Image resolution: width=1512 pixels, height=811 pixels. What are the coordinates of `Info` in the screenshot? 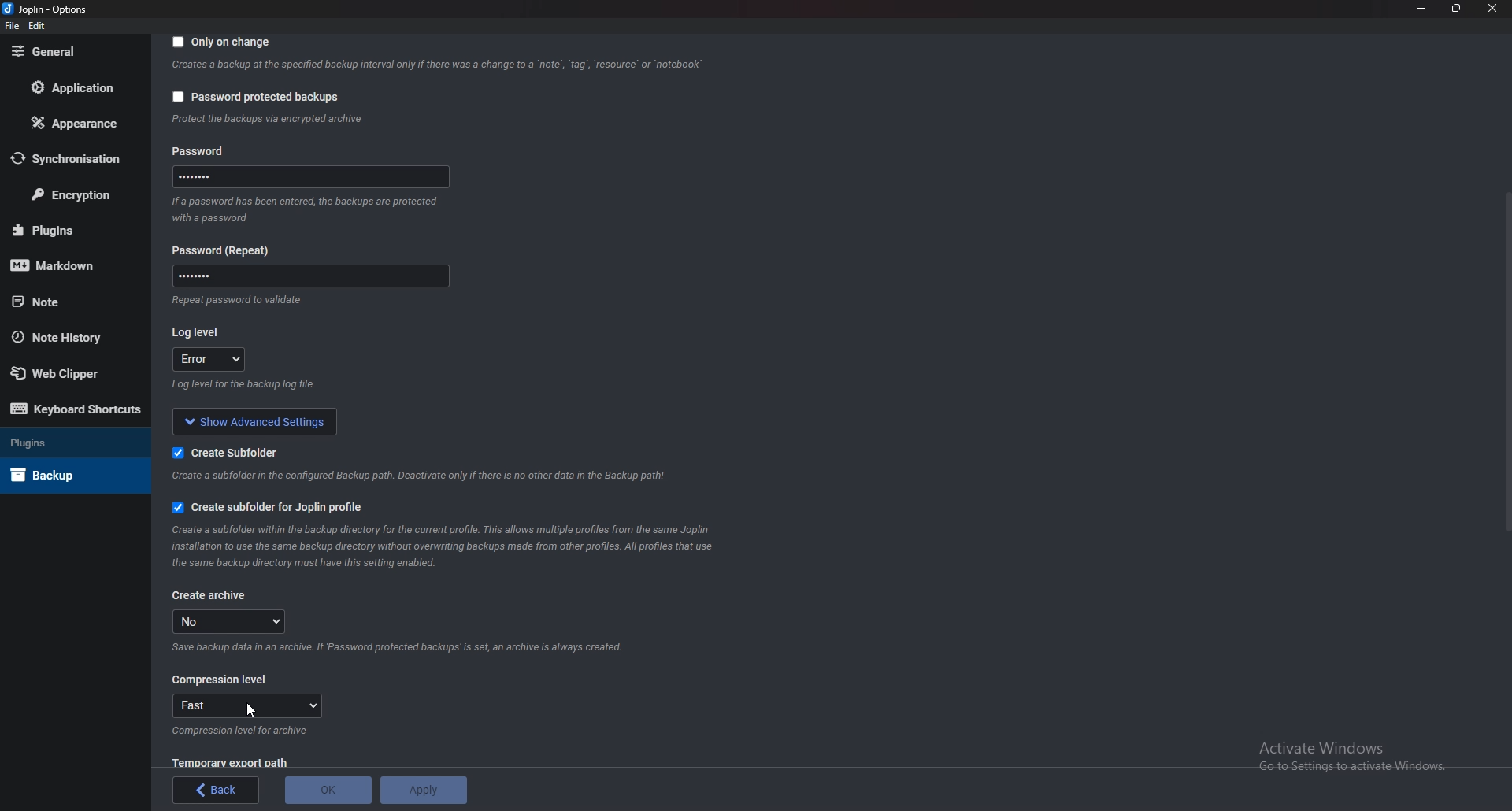 It's located at (234, 299).